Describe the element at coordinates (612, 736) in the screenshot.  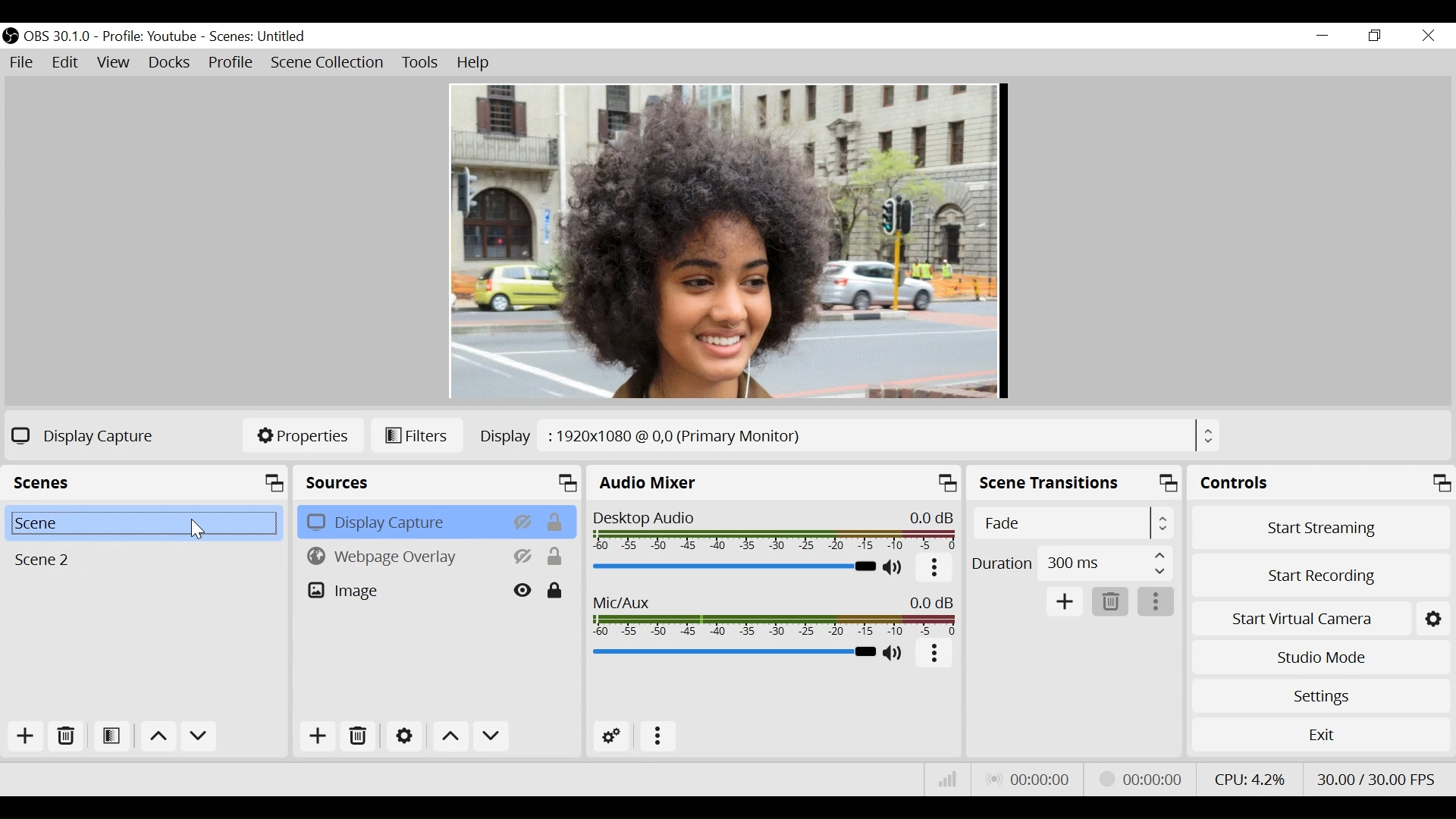
I see `Advanced Audio Settings` at that location.